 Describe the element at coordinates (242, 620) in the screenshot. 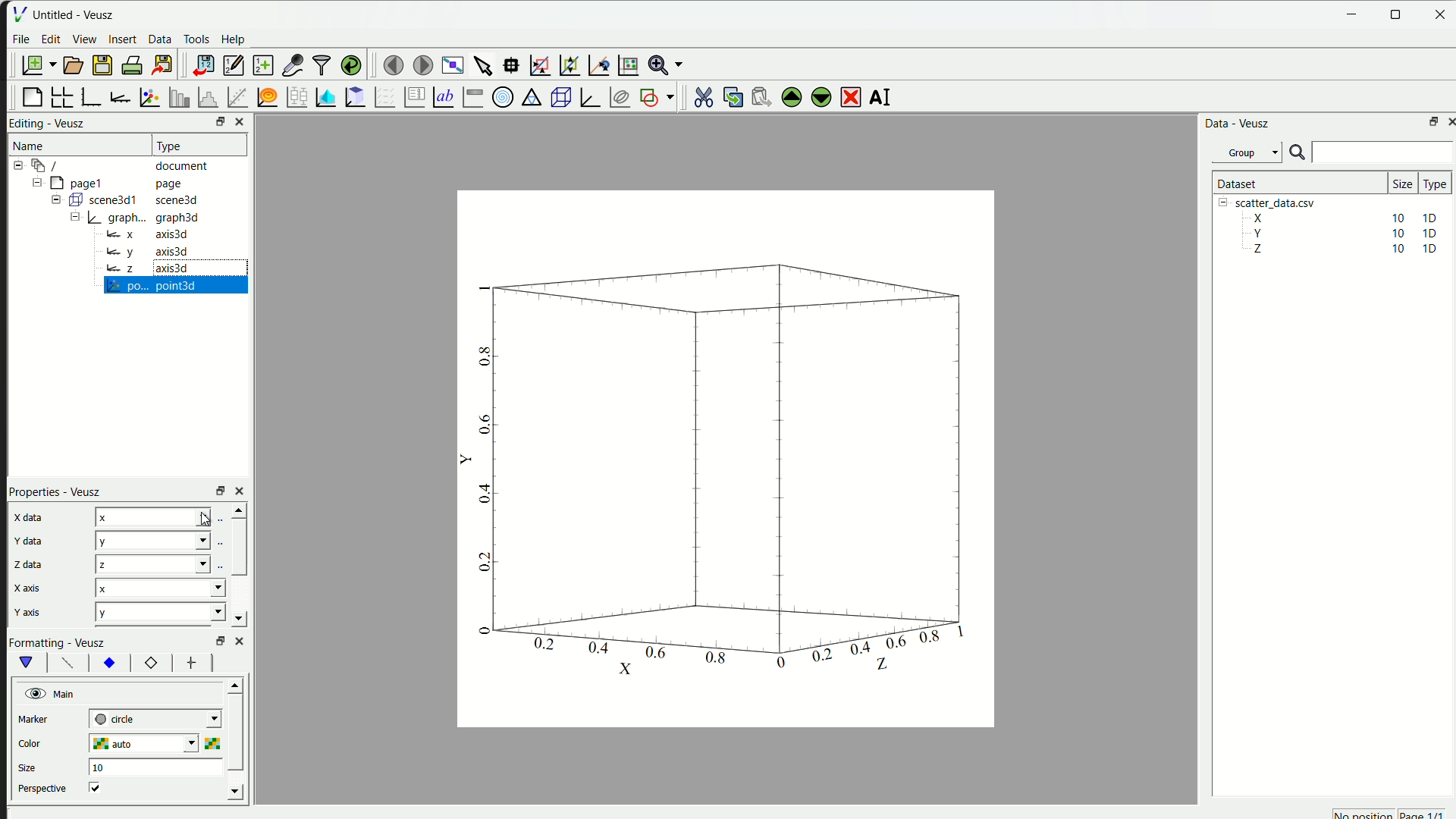

I see `down` at that location.